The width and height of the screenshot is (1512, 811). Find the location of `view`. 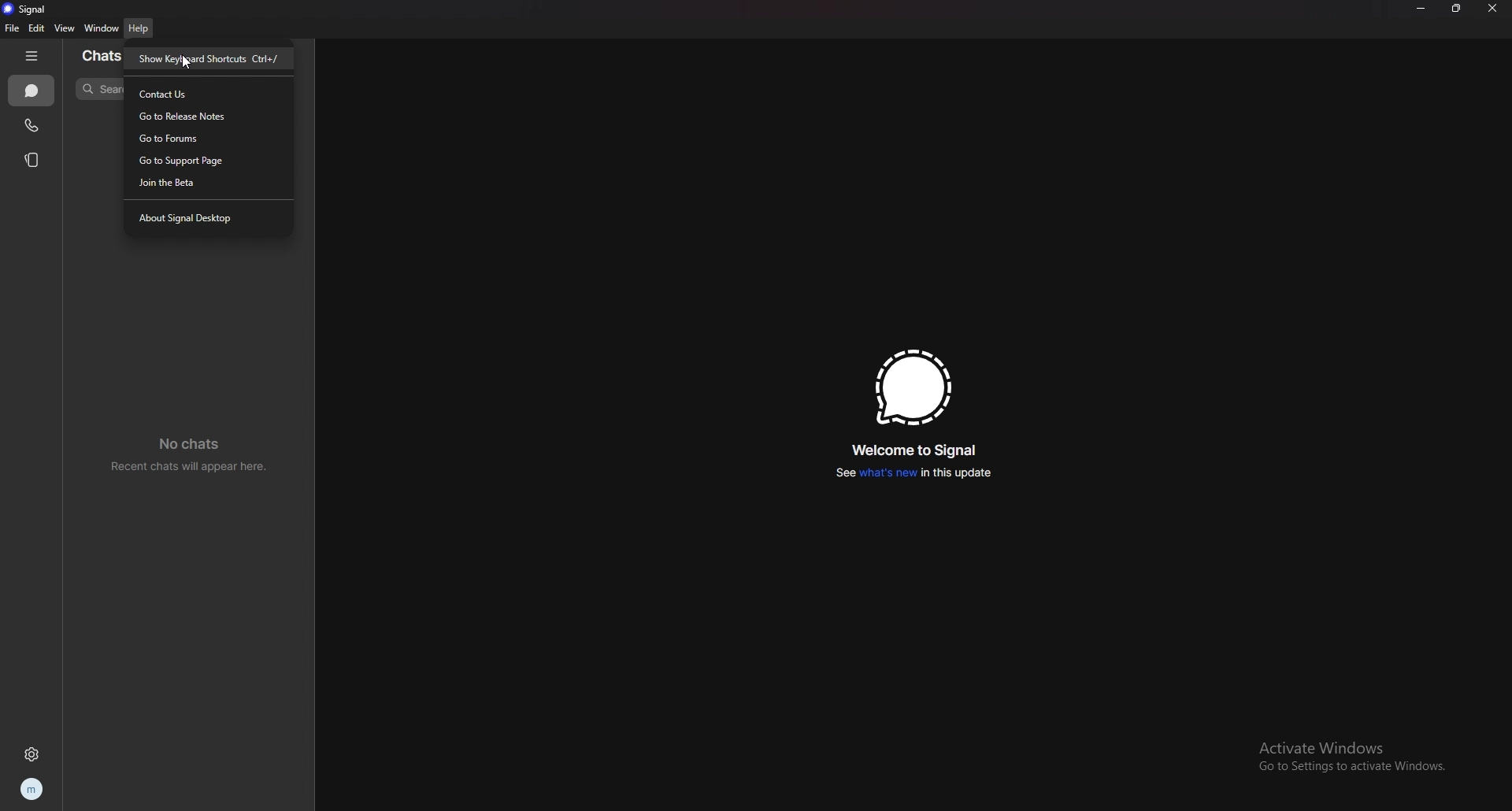

view is located at coordinates (65, 28).